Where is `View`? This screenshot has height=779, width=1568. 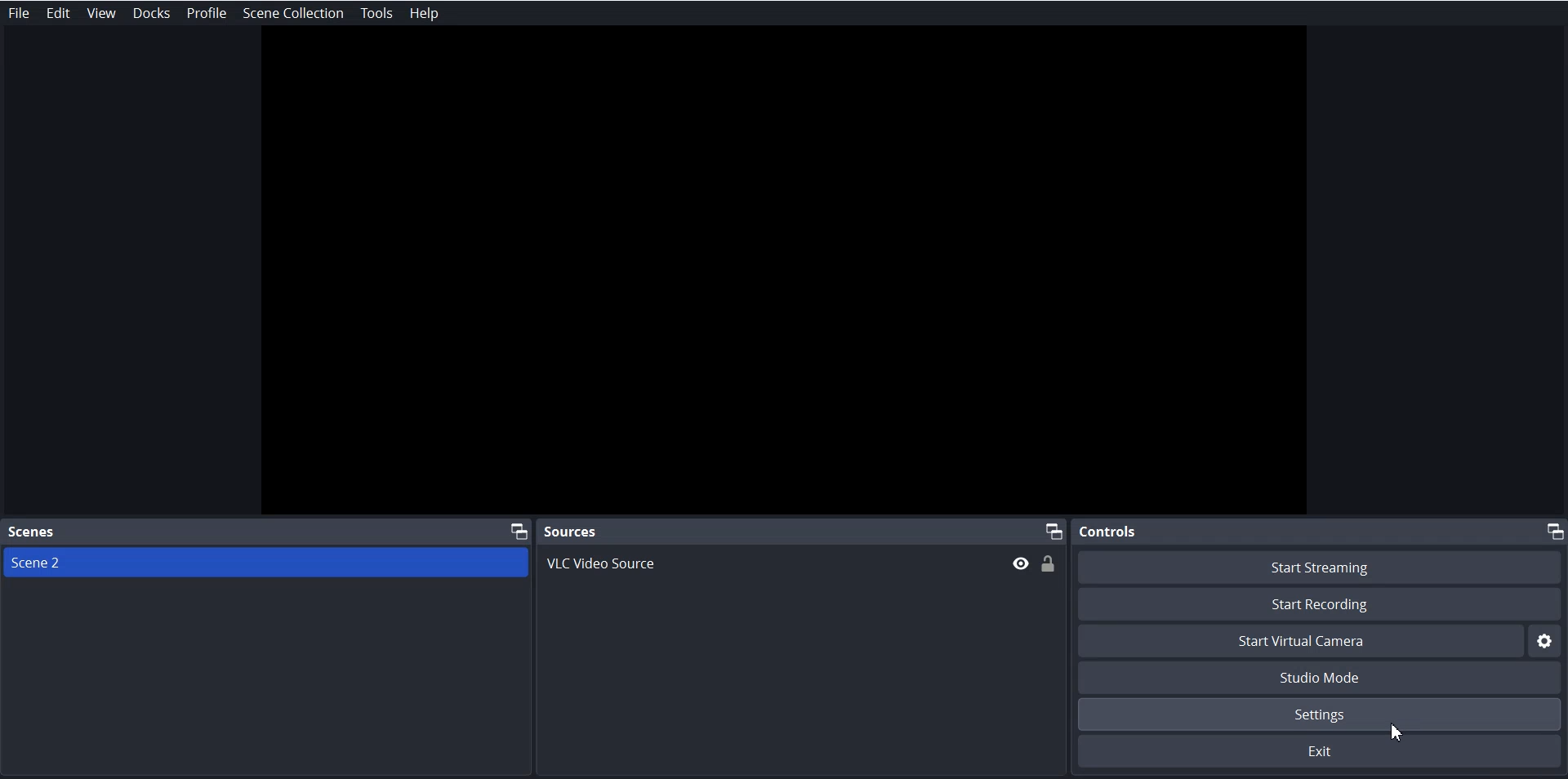 View is located at coordinates (101, 13).